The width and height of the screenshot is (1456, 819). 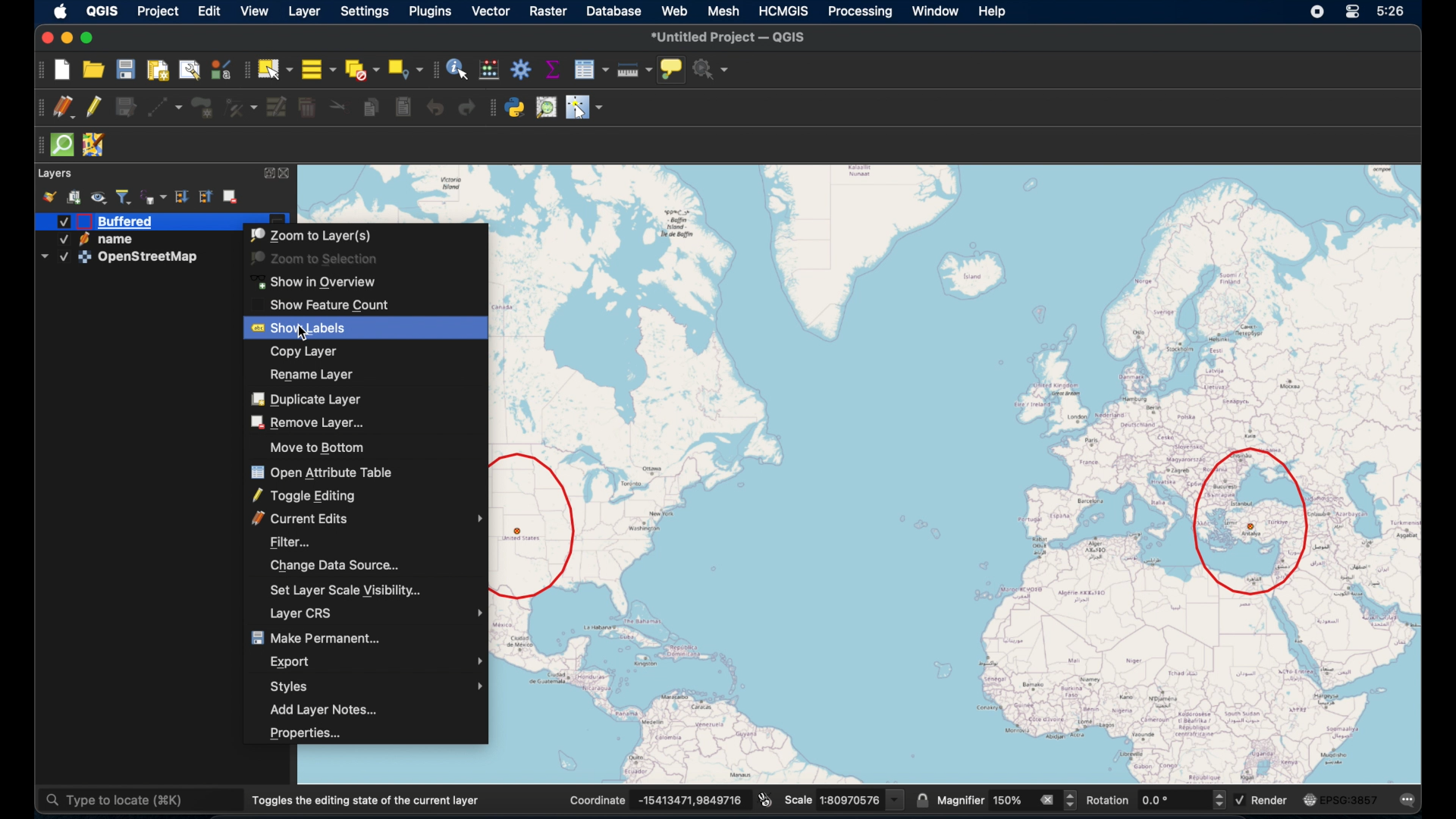 I want to click on no action selected, so click(x=711, y=69).